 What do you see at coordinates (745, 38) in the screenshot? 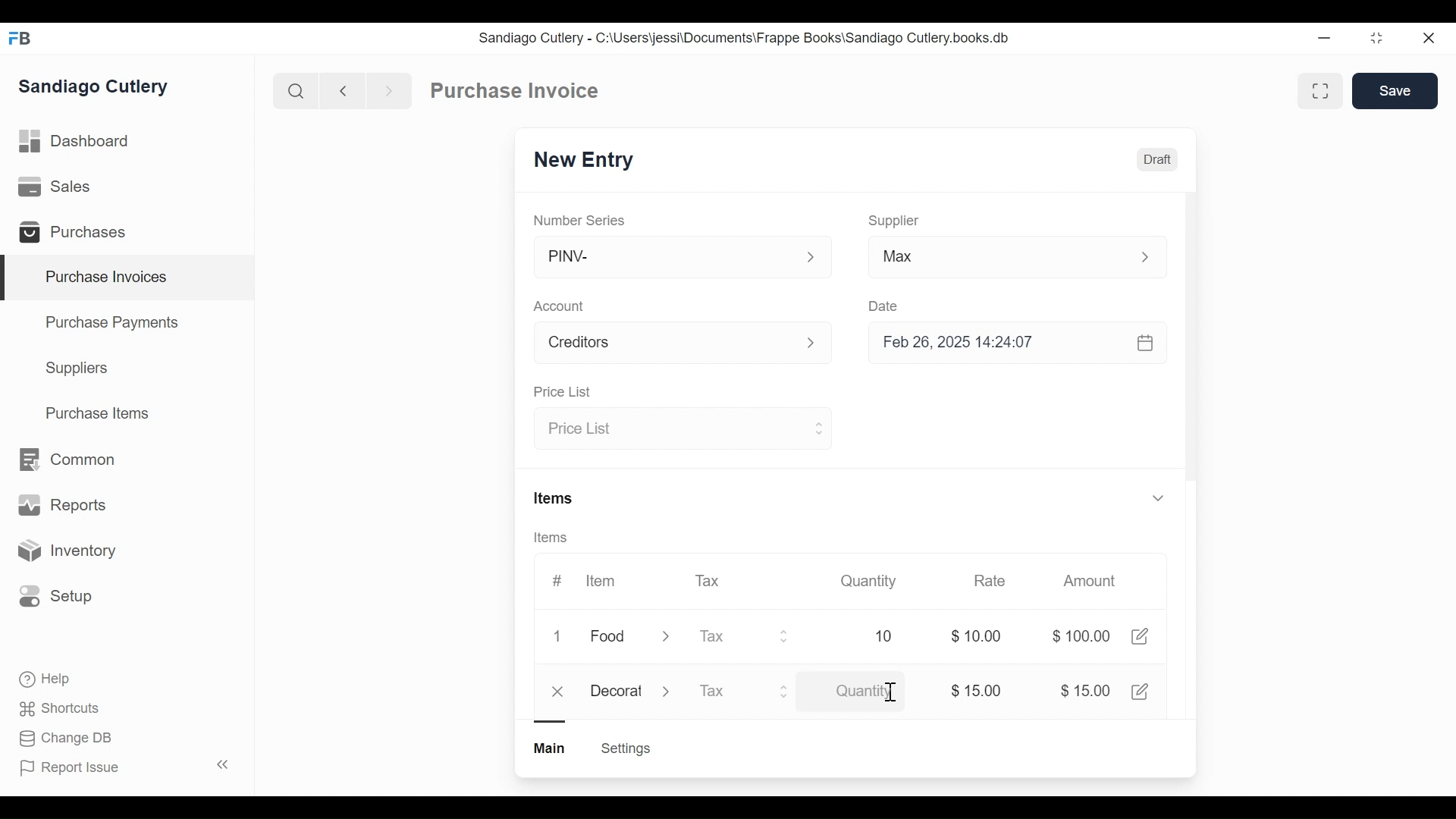
I see `Sandiago Cutlery - C:\Users\jessi\Documents\Frappe Books\Sandiago Cutlery.books.db` at bounding box center [745, 38].